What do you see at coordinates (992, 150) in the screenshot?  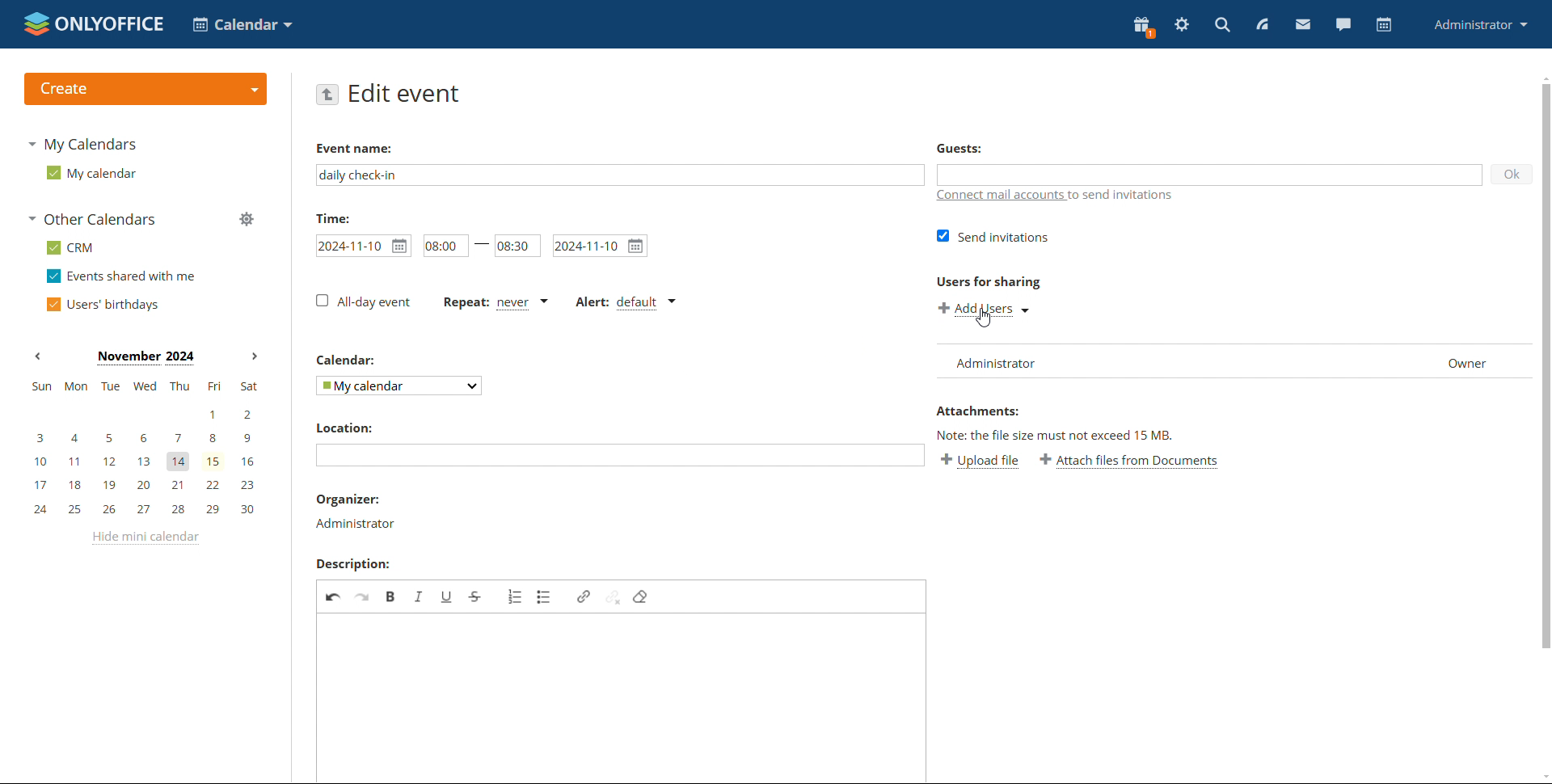 I see `guest:` at bounding box center [992, 150].